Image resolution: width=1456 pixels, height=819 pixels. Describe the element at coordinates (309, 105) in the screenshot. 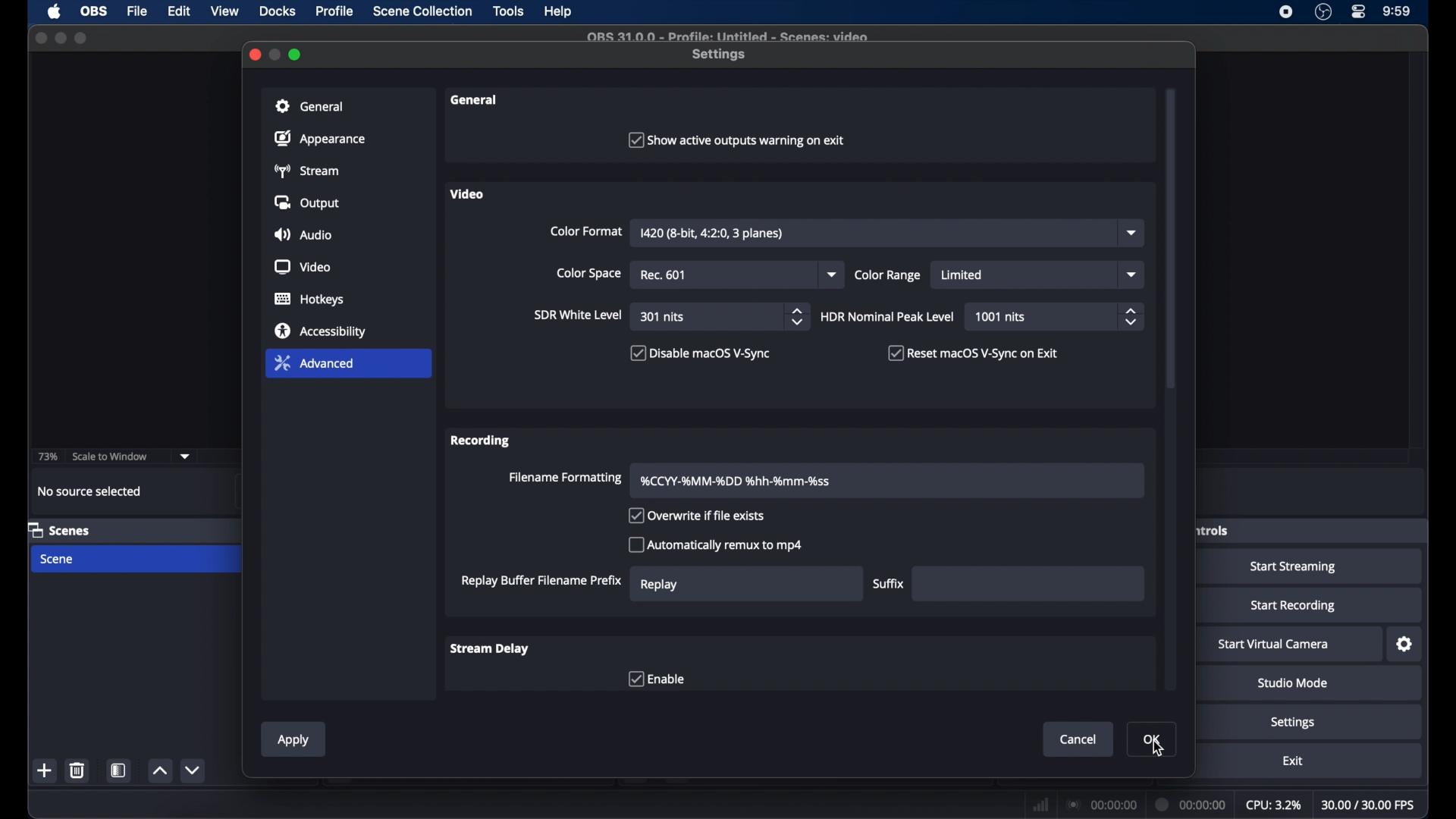

I see `general` at that location.